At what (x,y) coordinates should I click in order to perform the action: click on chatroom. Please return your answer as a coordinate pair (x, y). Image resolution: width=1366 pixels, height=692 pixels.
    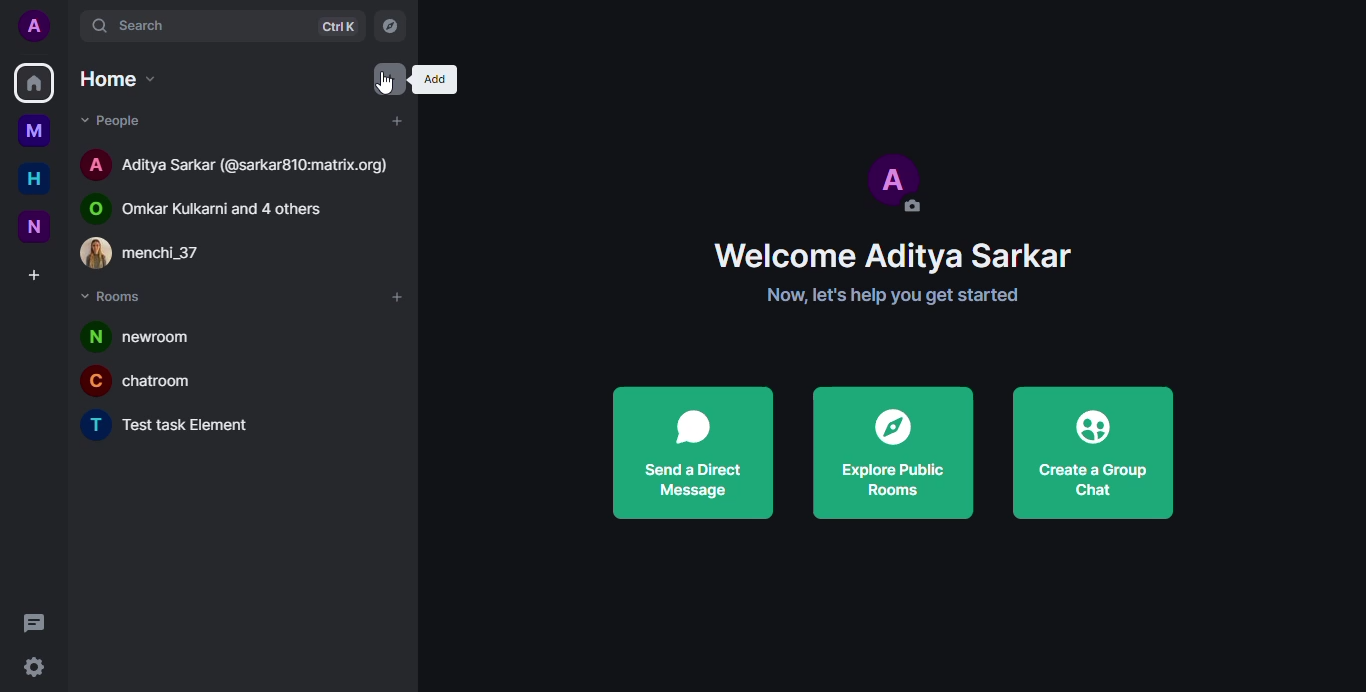
    Looking at the image, I should click on (150, 380).